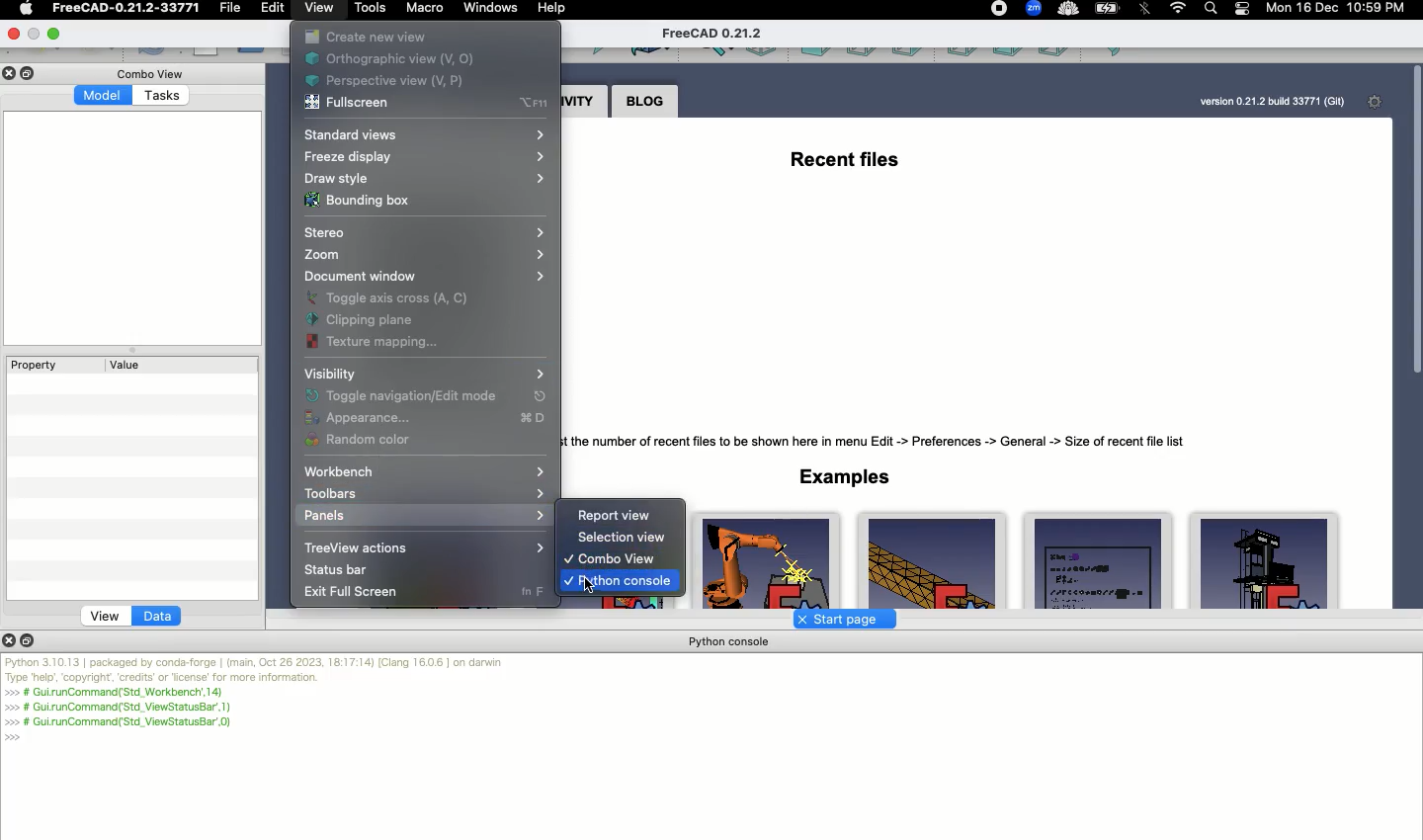 The height and width of the screenshot is (840, 1423). I want to click on Document window, so click(422, 278).